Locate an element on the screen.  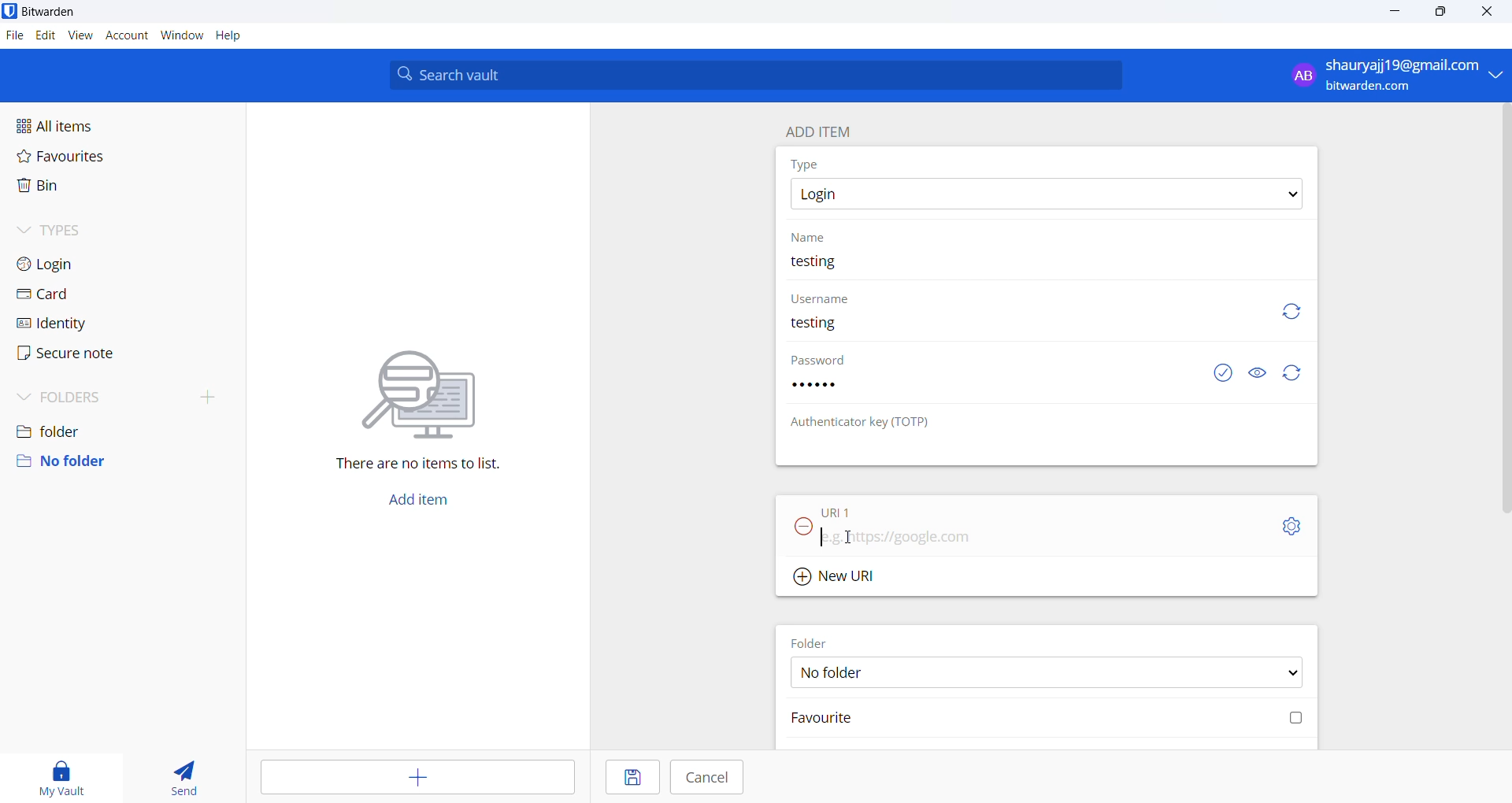
favourite checkbox is located at coordinates (1050, 718).